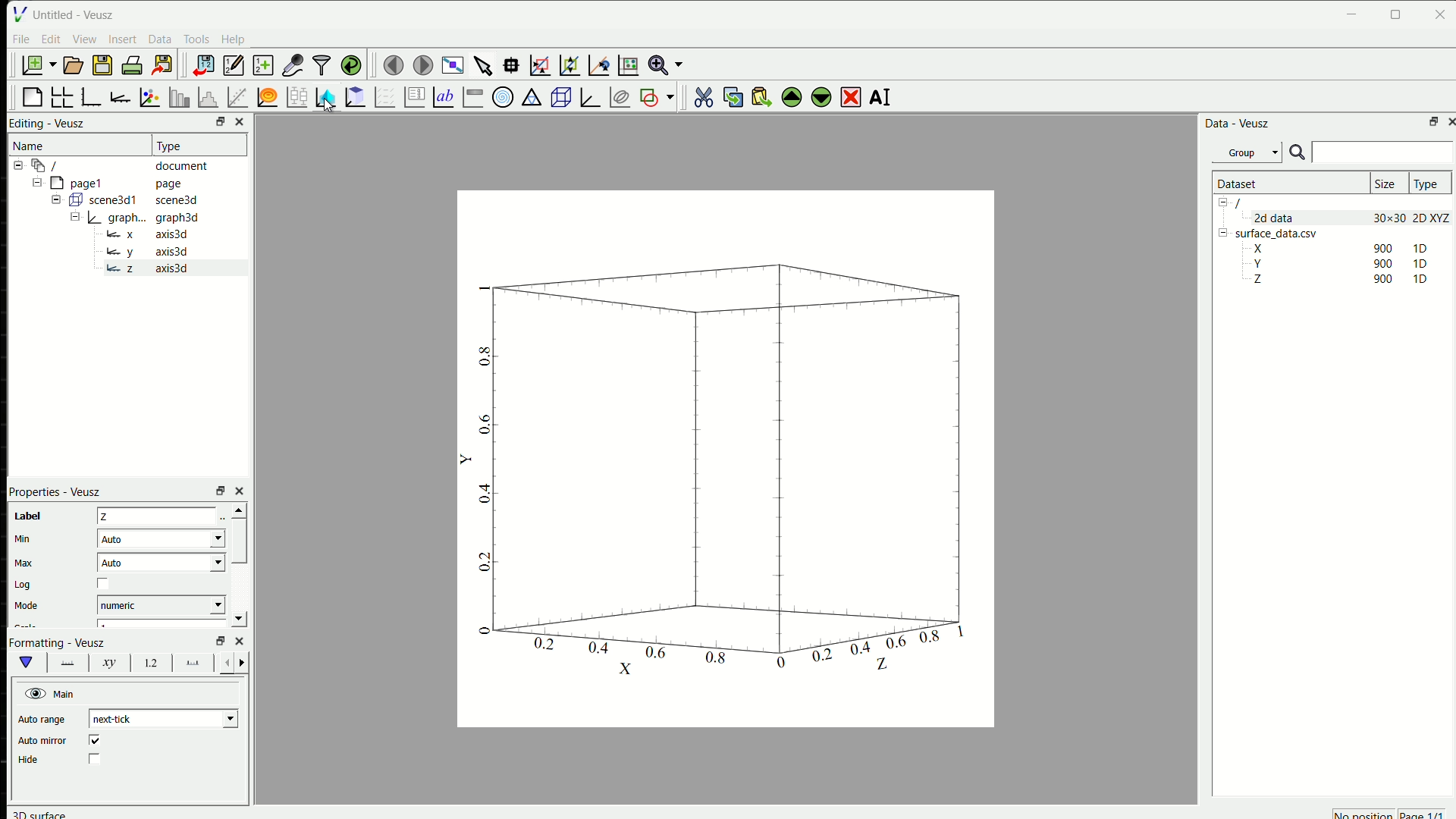  I want to click on reload link datasets, so click(352, 65).